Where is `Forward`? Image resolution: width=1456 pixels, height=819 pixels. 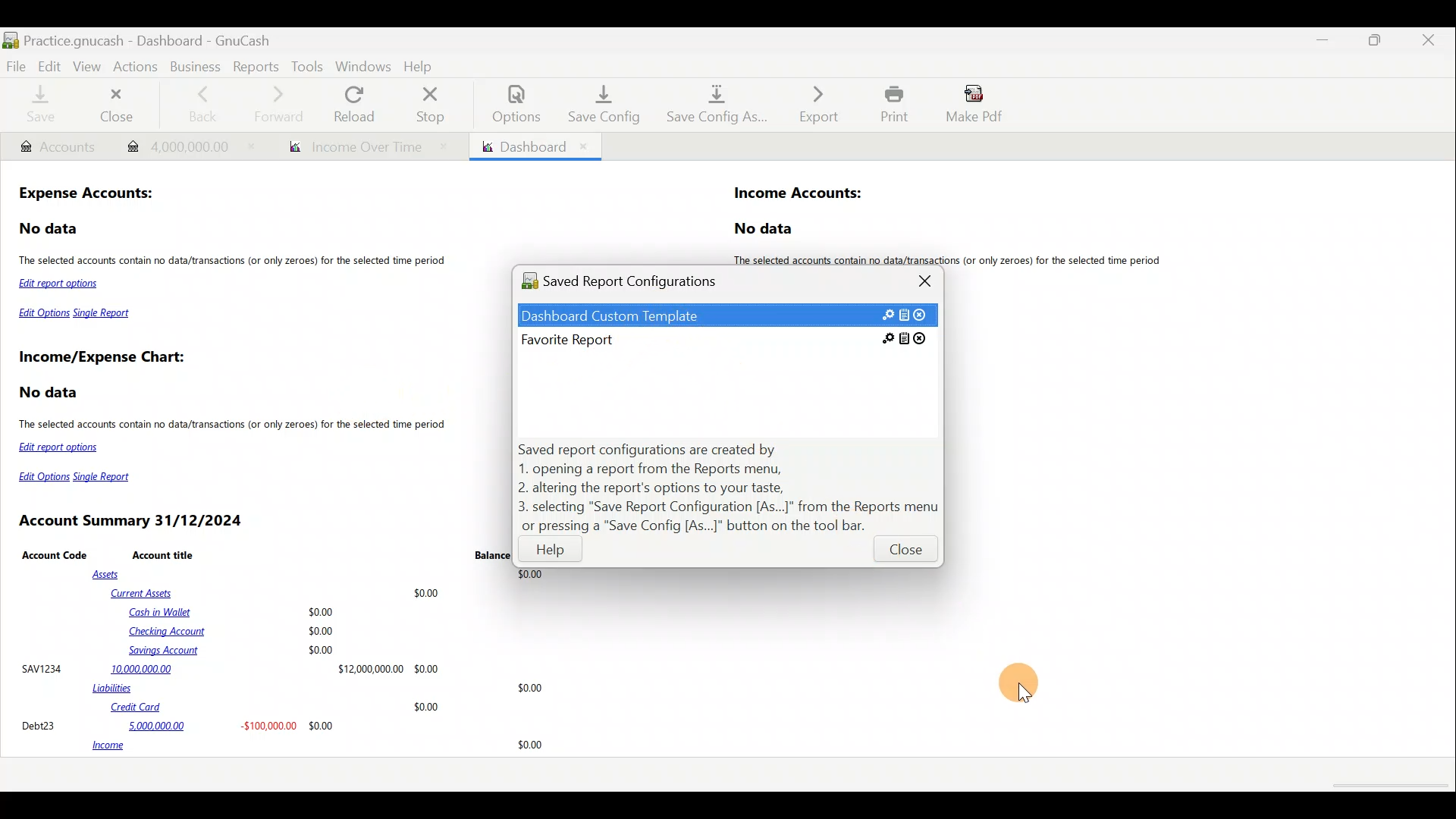 Forward is located at coordinates (284, 104).